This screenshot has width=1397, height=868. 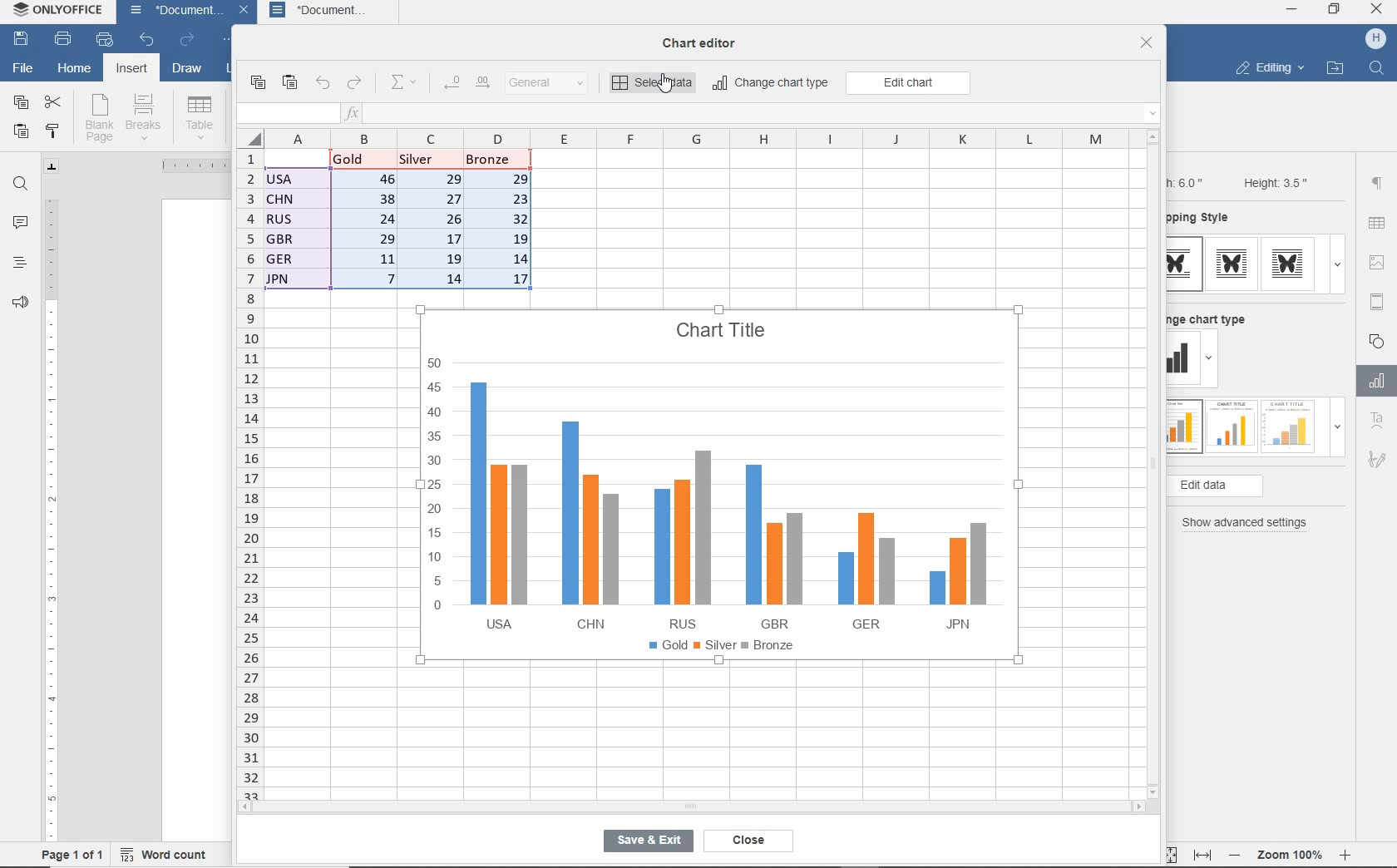 I want to click on document name, so click(x=171, y=12).